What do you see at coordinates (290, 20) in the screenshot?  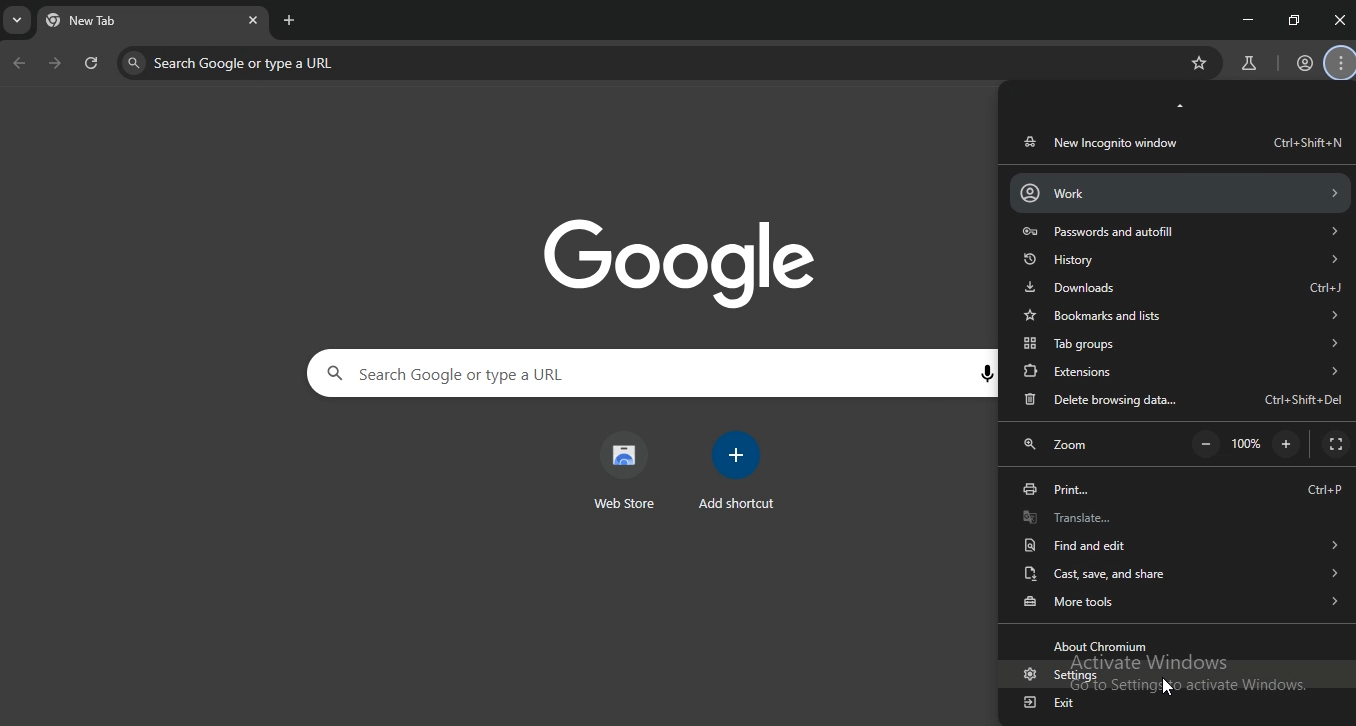 I see `new tab` at bounding box center [290, 20].